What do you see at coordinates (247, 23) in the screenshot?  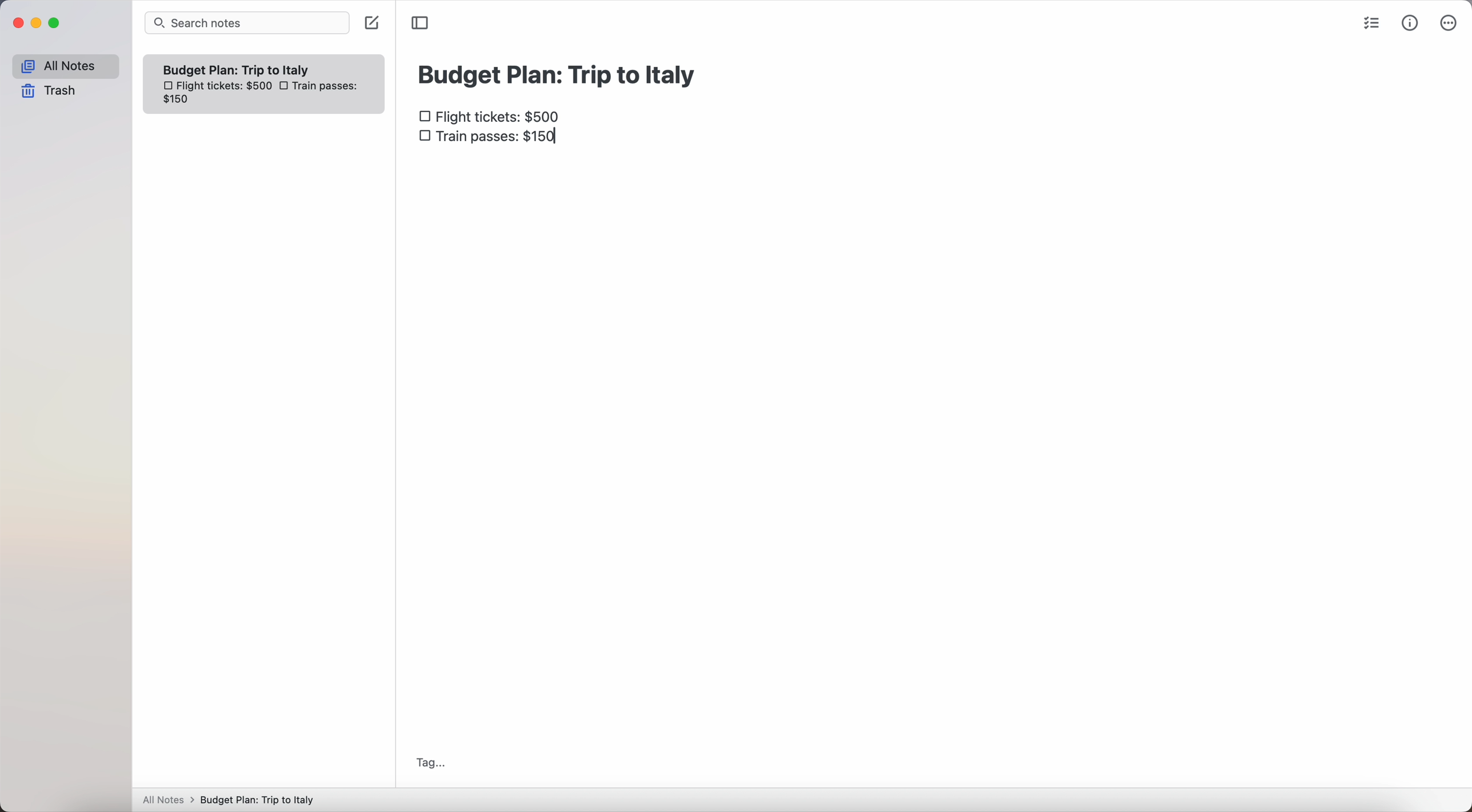 I see `search bar` at bounding box center [247, 23].